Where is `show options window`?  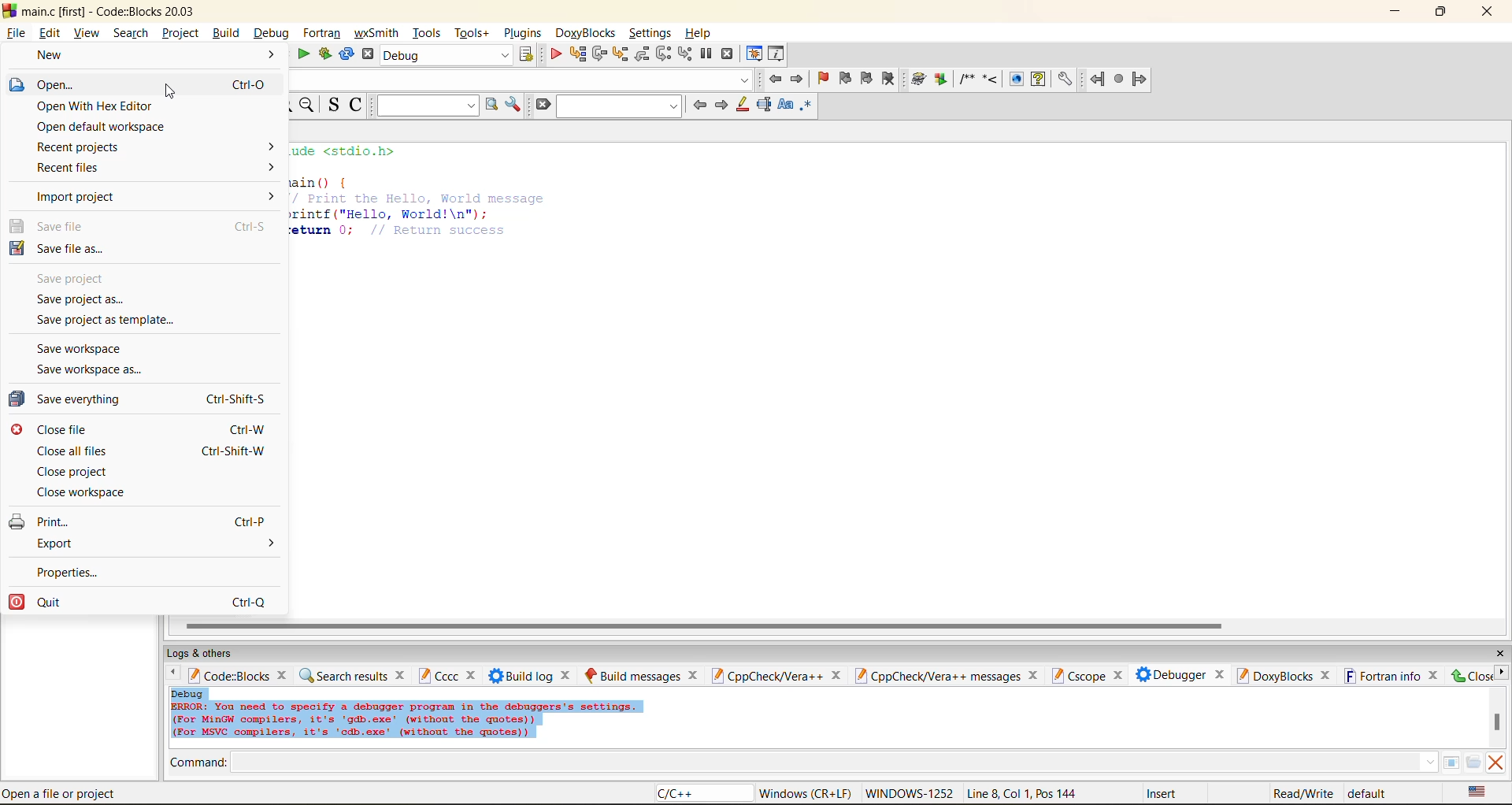 show options window is located at coordinates (513, 105).